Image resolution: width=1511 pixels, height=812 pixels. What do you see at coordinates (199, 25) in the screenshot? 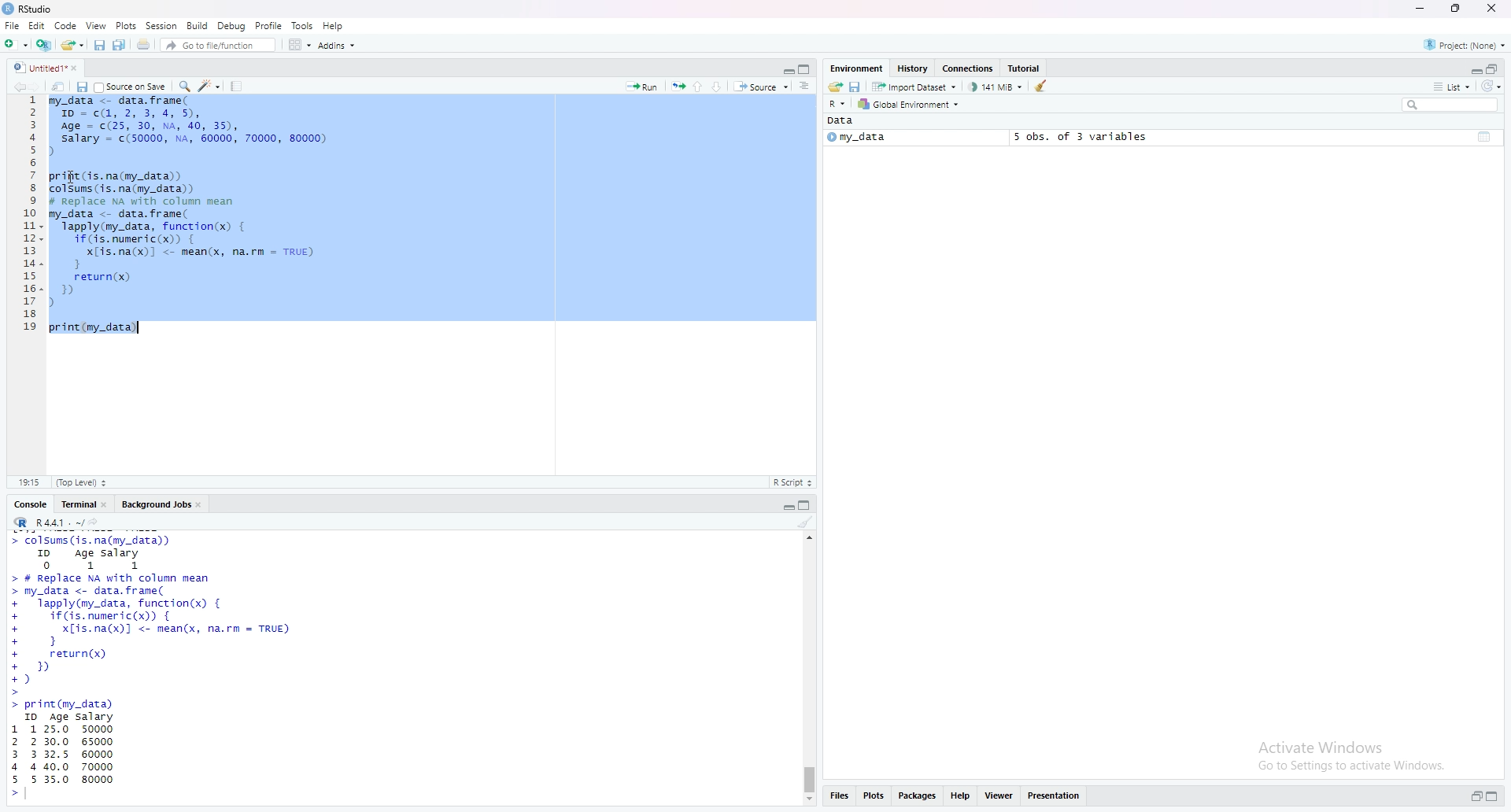
I see `Build` at bounding box center [199, 25].